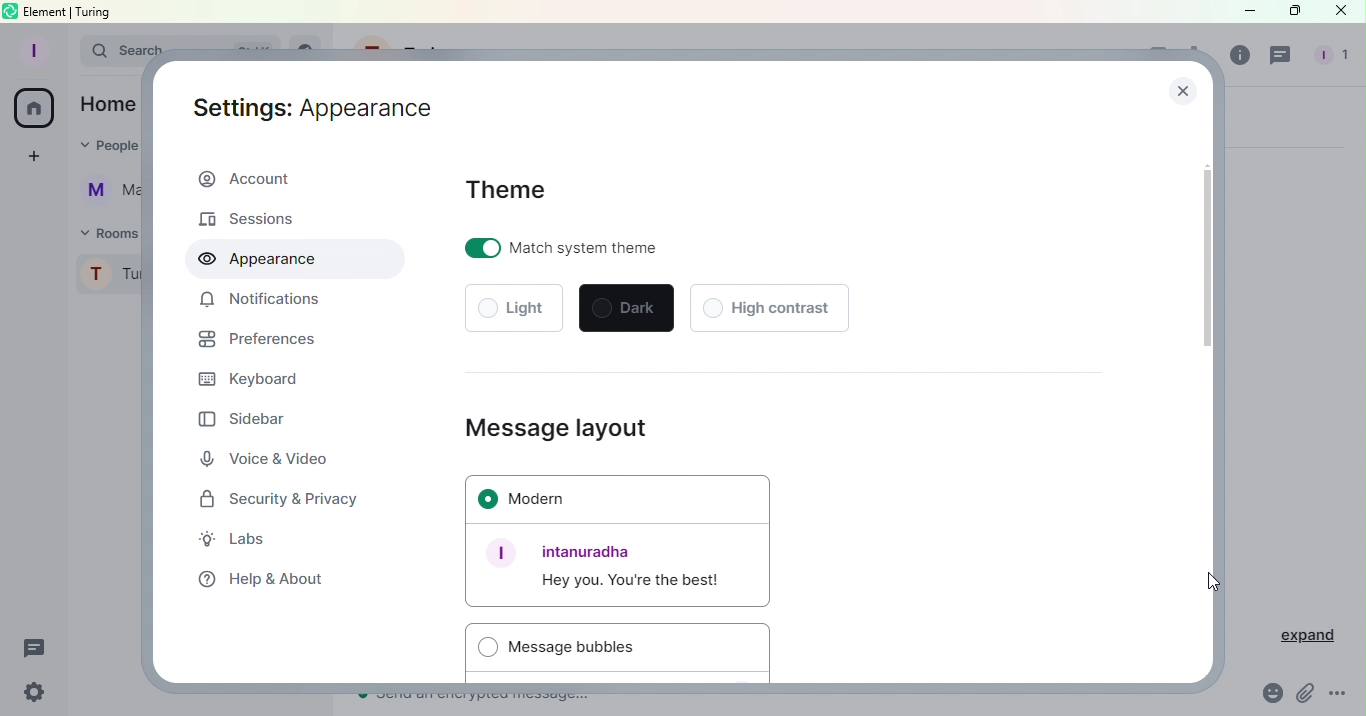 The width and height of the screenshot is (1366, 716). Describe the element at coordinates (551, 426) in the screenshot. I see `Message layout` at that location.